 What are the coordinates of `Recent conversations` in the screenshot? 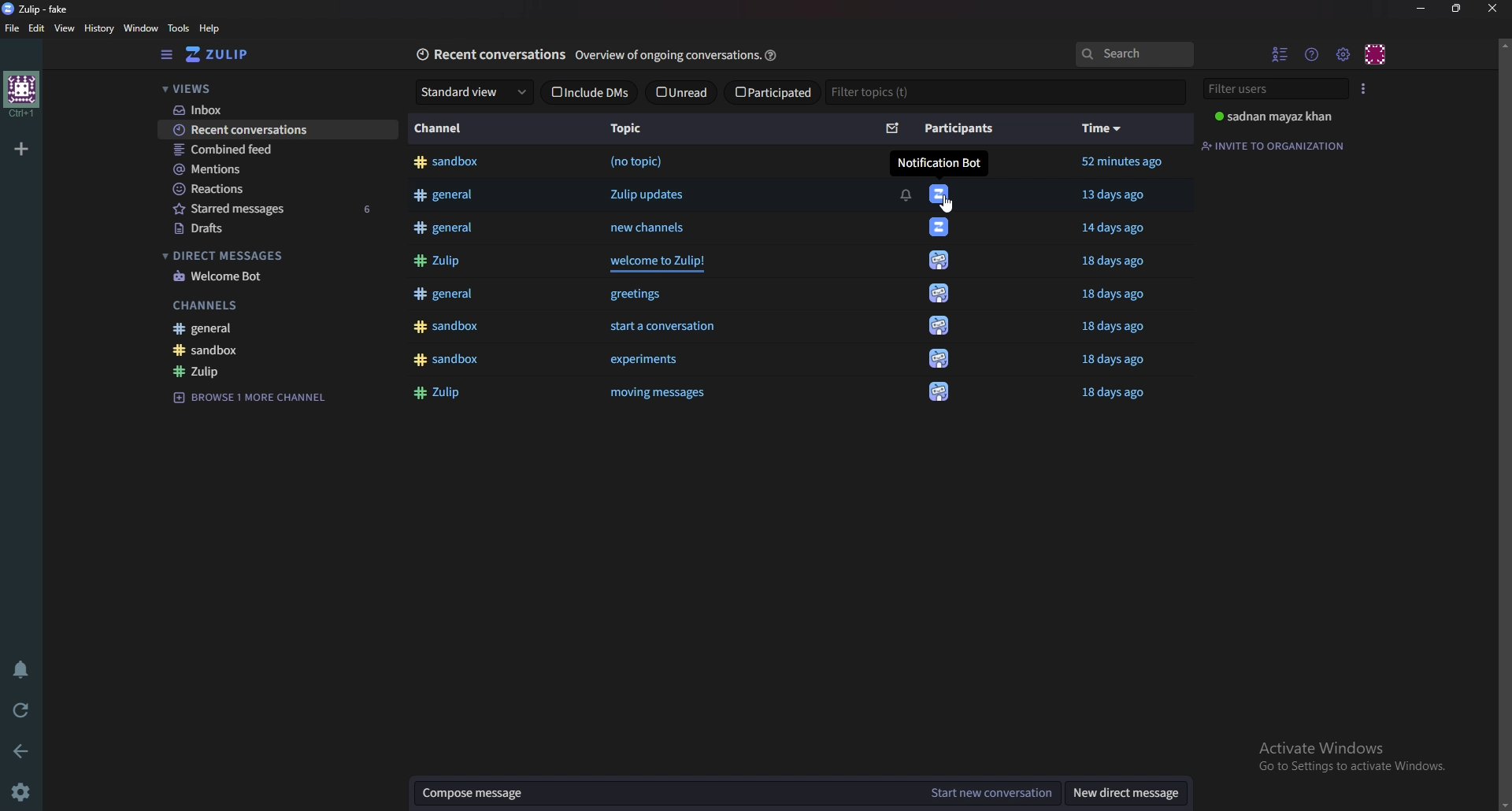 It's located at (276, 130).